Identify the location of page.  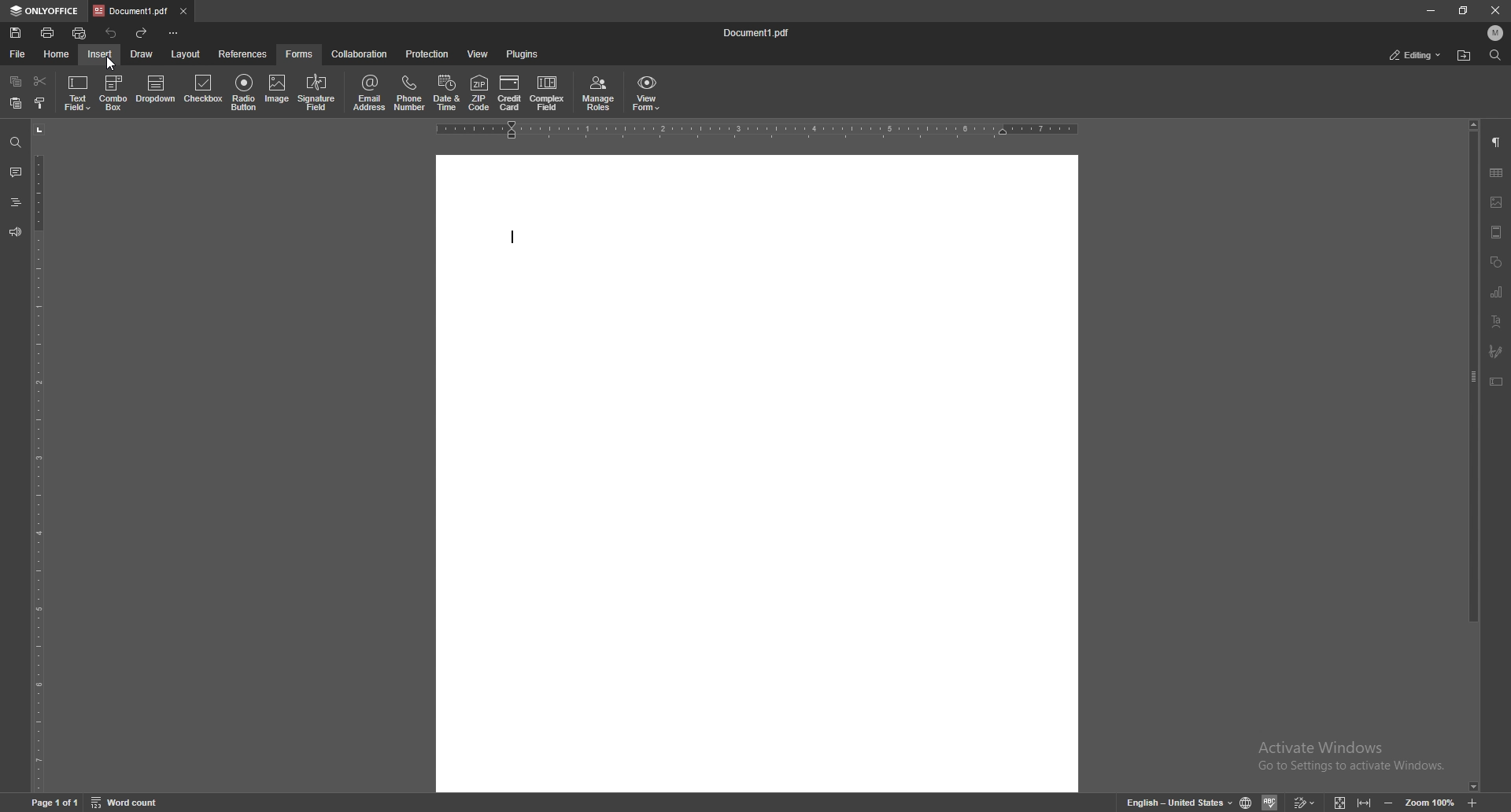
(56, 803).